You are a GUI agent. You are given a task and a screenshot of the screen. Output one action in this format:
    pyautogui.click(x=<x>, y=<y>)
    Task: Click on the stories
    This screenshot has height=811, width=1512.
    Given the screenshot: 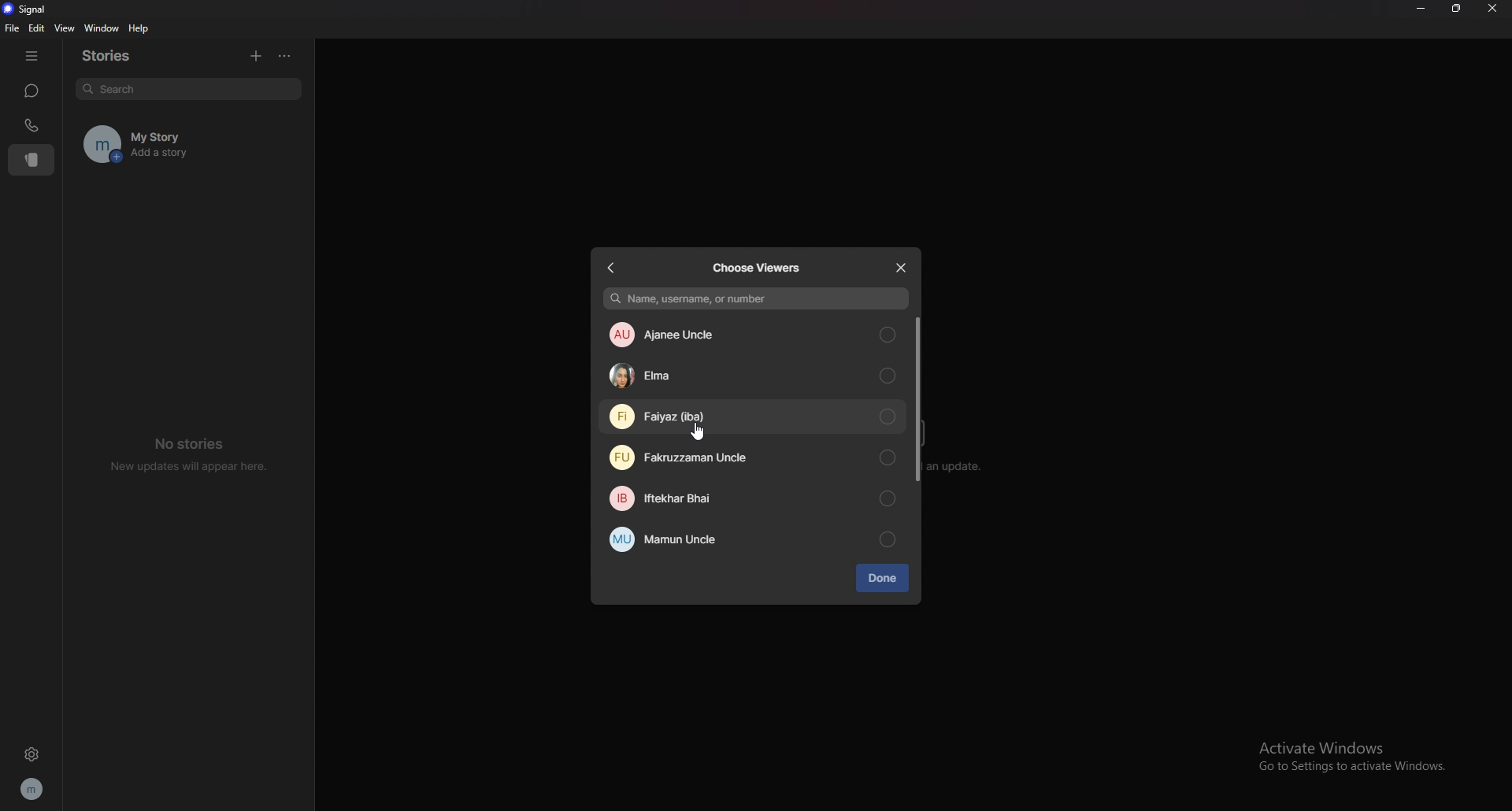 What is the action you would take?
    pyautogui.click(x=120, y=56)
    